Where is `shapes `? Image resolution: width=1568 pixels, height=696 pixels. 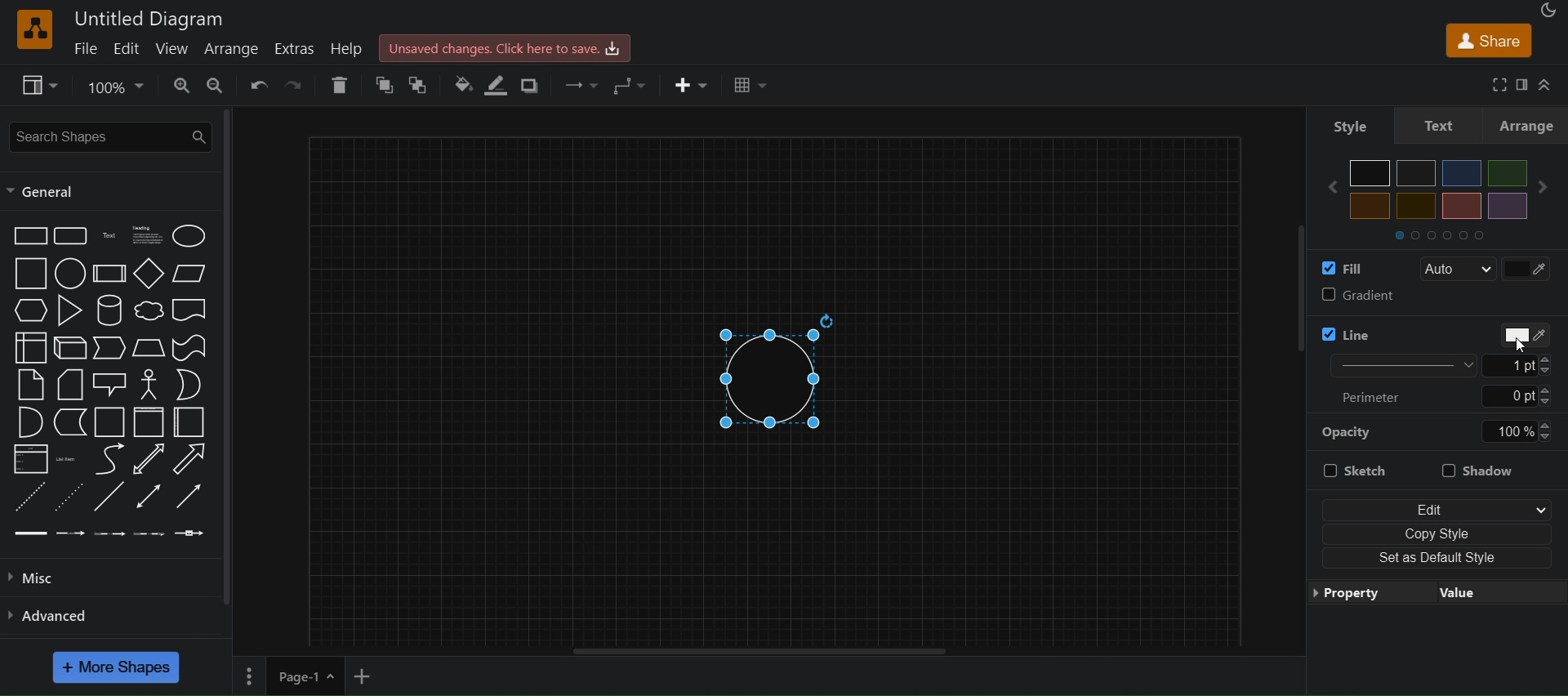 shapes  is located at coordinates (784, 372).